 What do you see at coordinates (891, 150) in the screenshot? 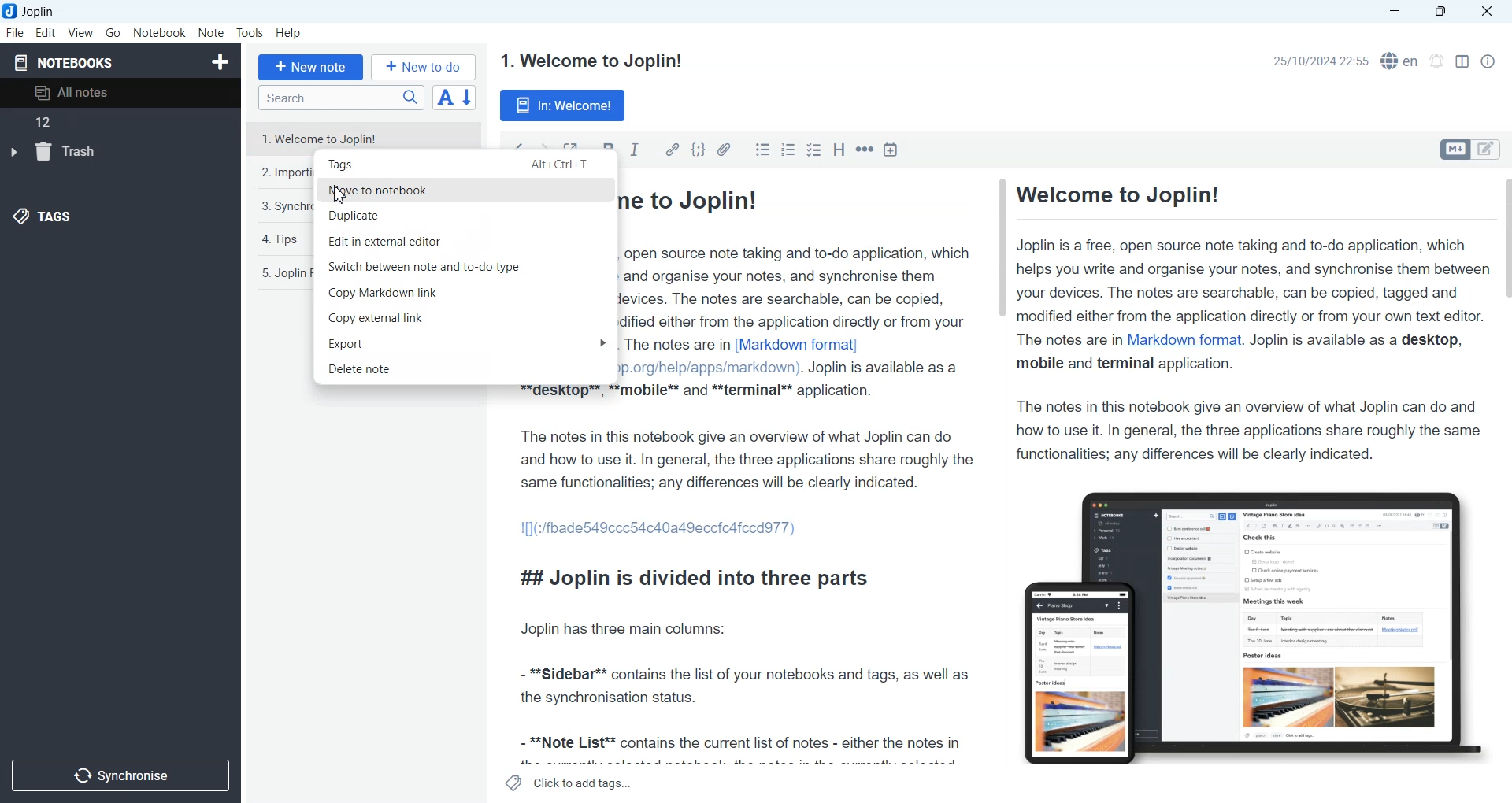
I see `Insert Time` at bounding box center [891, 150].